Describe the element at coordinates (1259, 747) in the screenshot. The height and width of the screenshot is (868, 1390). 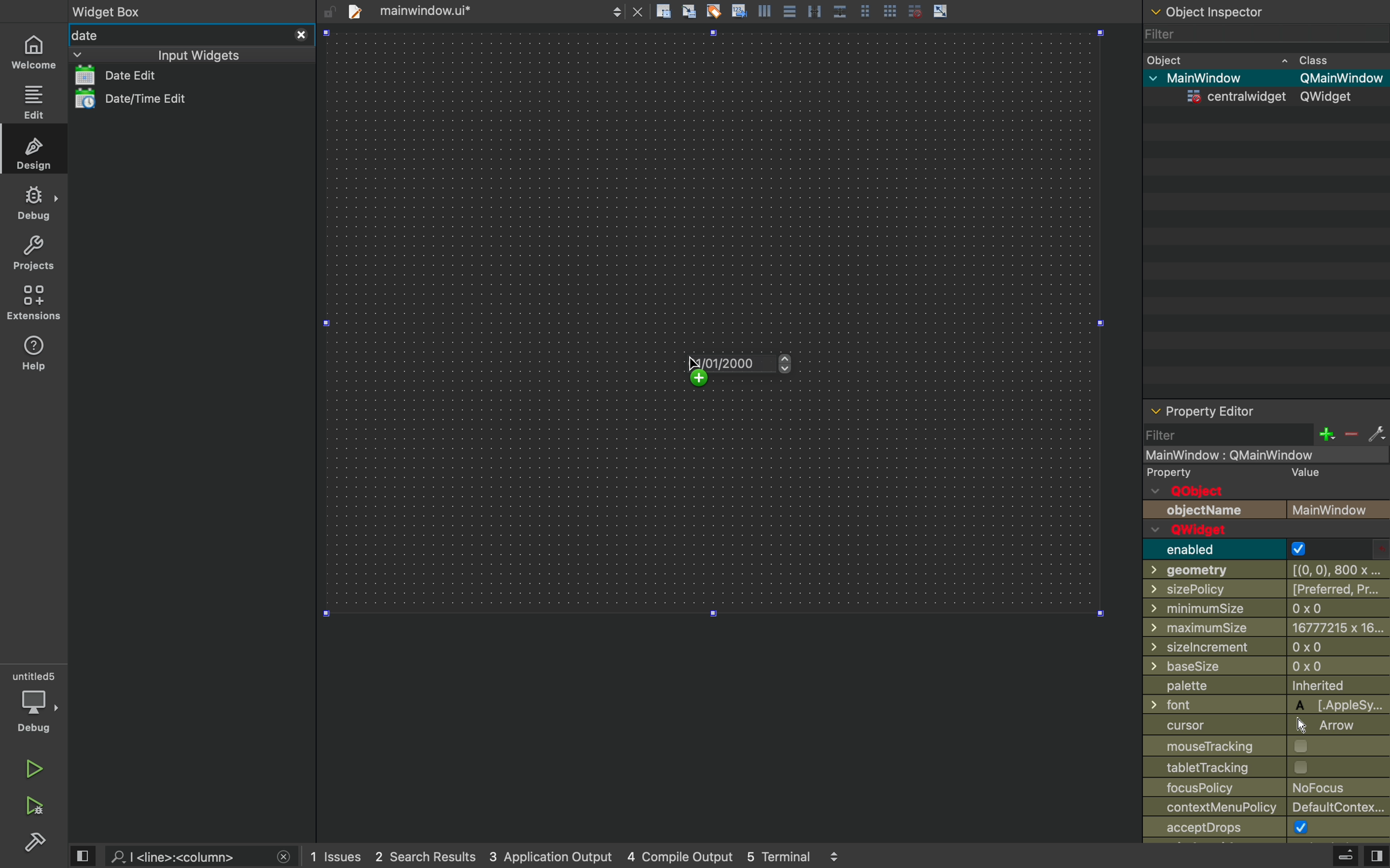
I see `mousetrtacking` at that location.